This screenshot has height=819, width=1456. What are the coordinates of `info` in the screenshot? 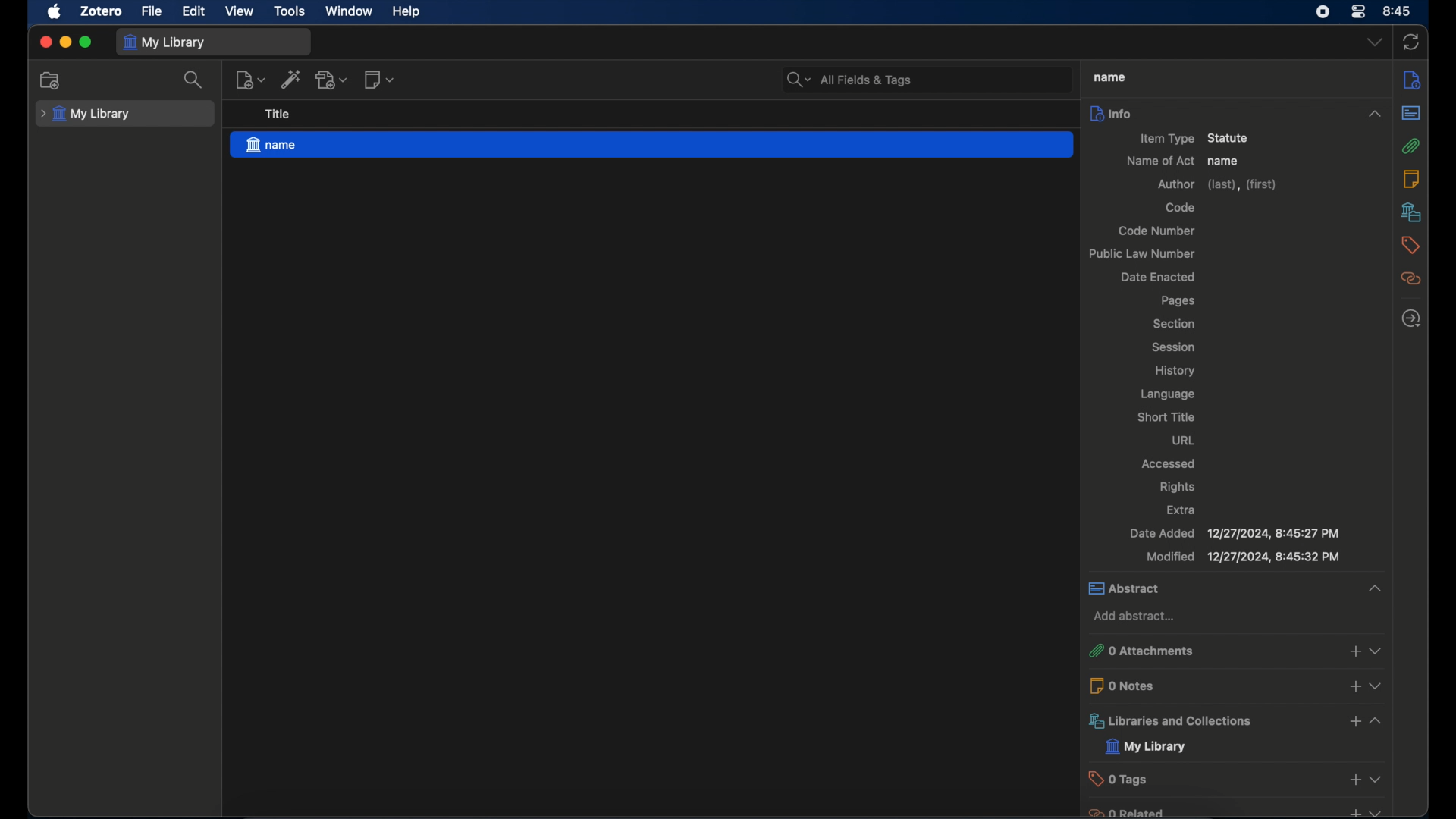 It's located at (1414, 80).